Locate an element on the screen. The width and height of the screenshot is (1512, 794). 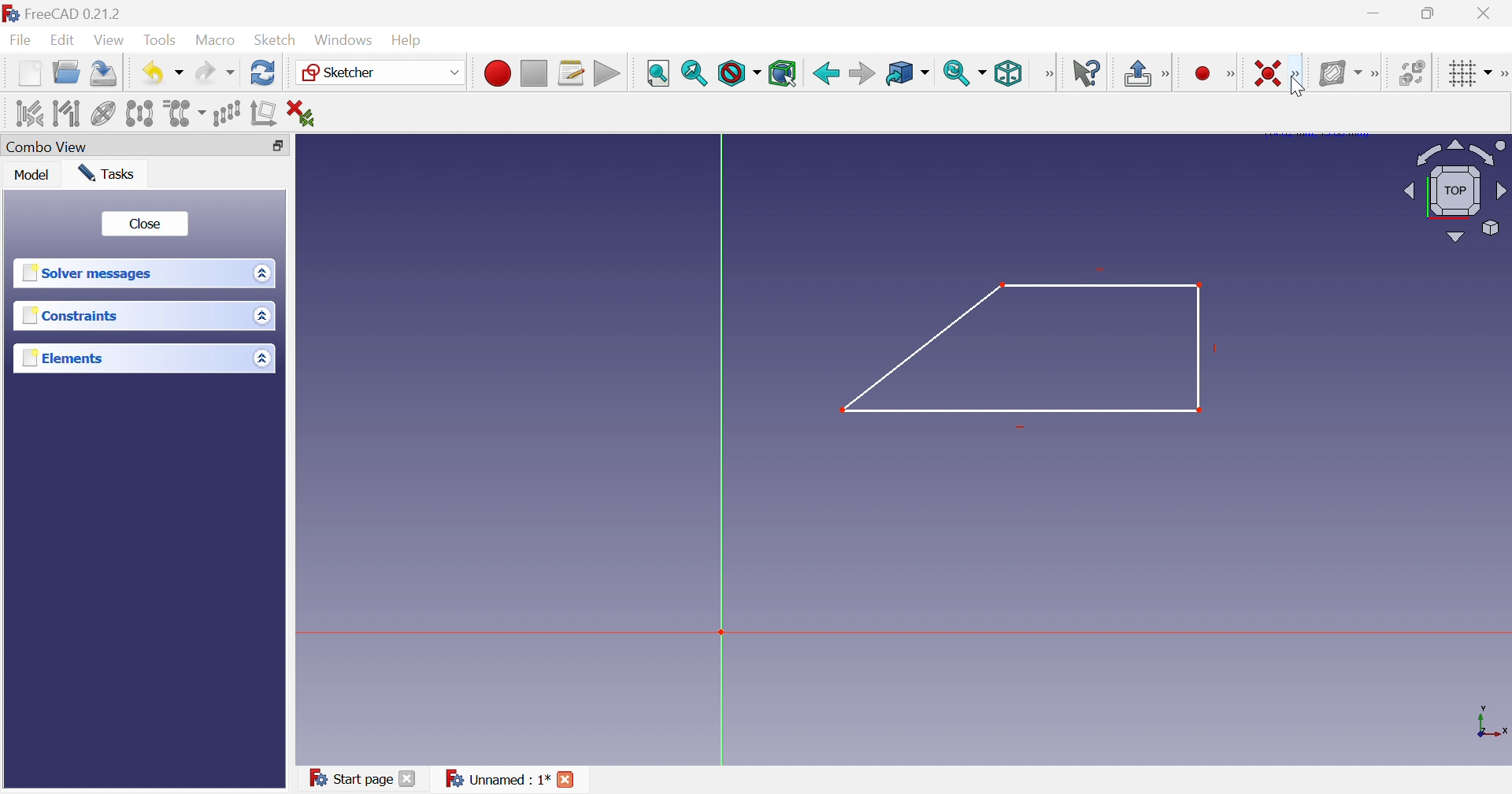
Viewing angle is located at coordinates (1455, 189).